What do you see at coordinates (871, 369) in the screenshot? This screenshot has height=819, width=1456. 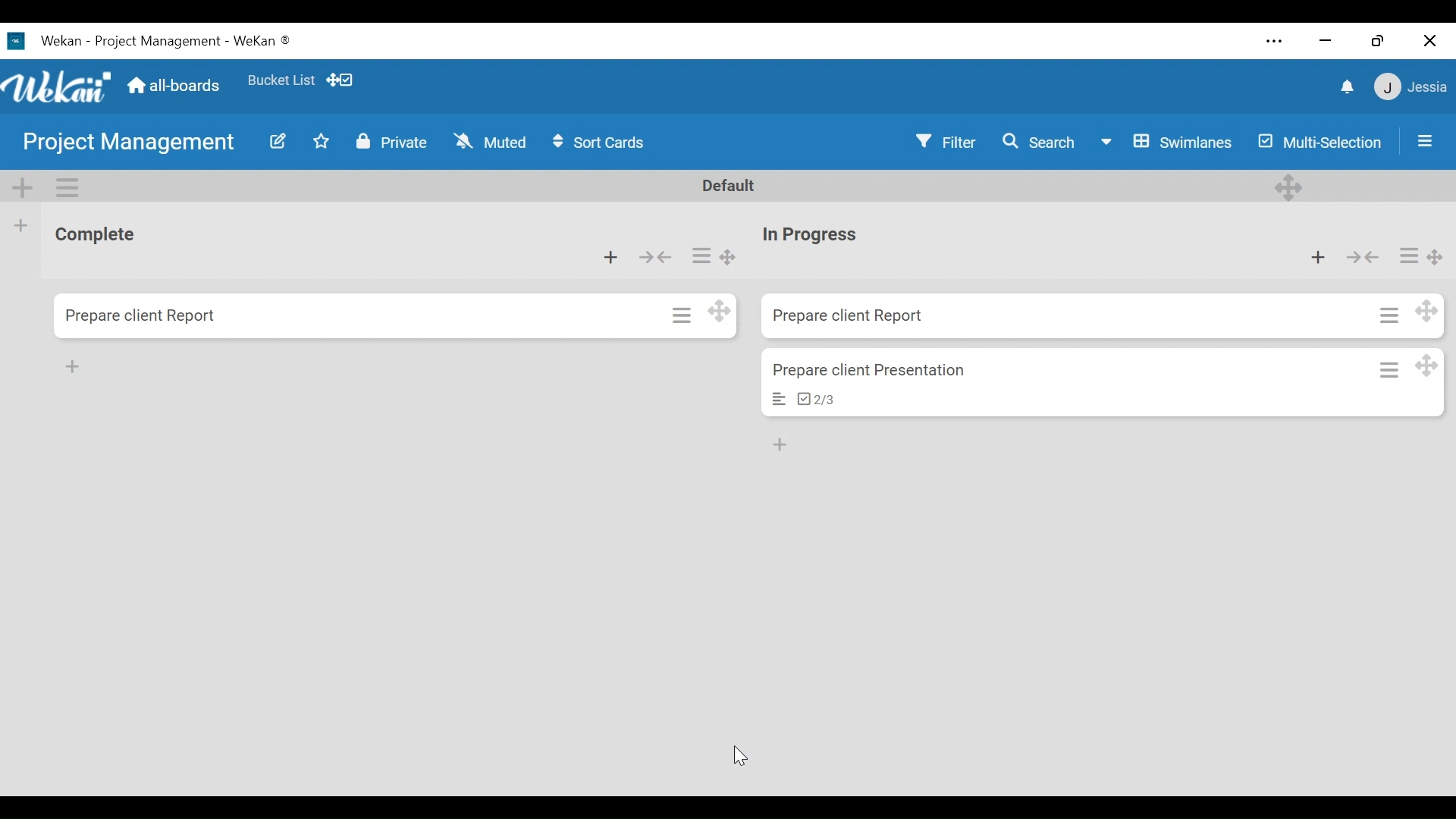 I see `Card Title` at bounding box center [871, 369].